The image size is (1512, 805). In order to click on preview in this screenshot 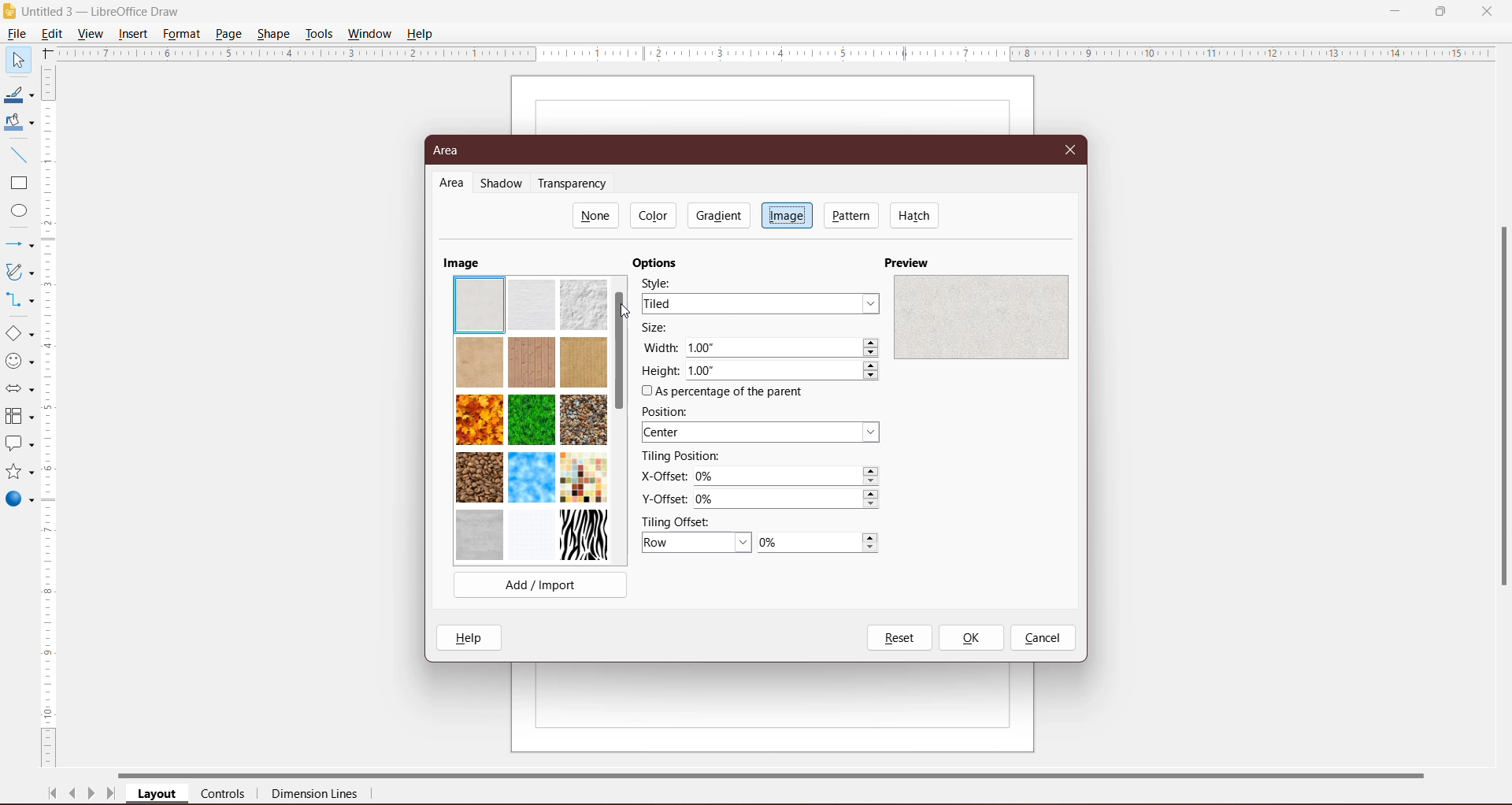, I will do `click(980, 316)`.